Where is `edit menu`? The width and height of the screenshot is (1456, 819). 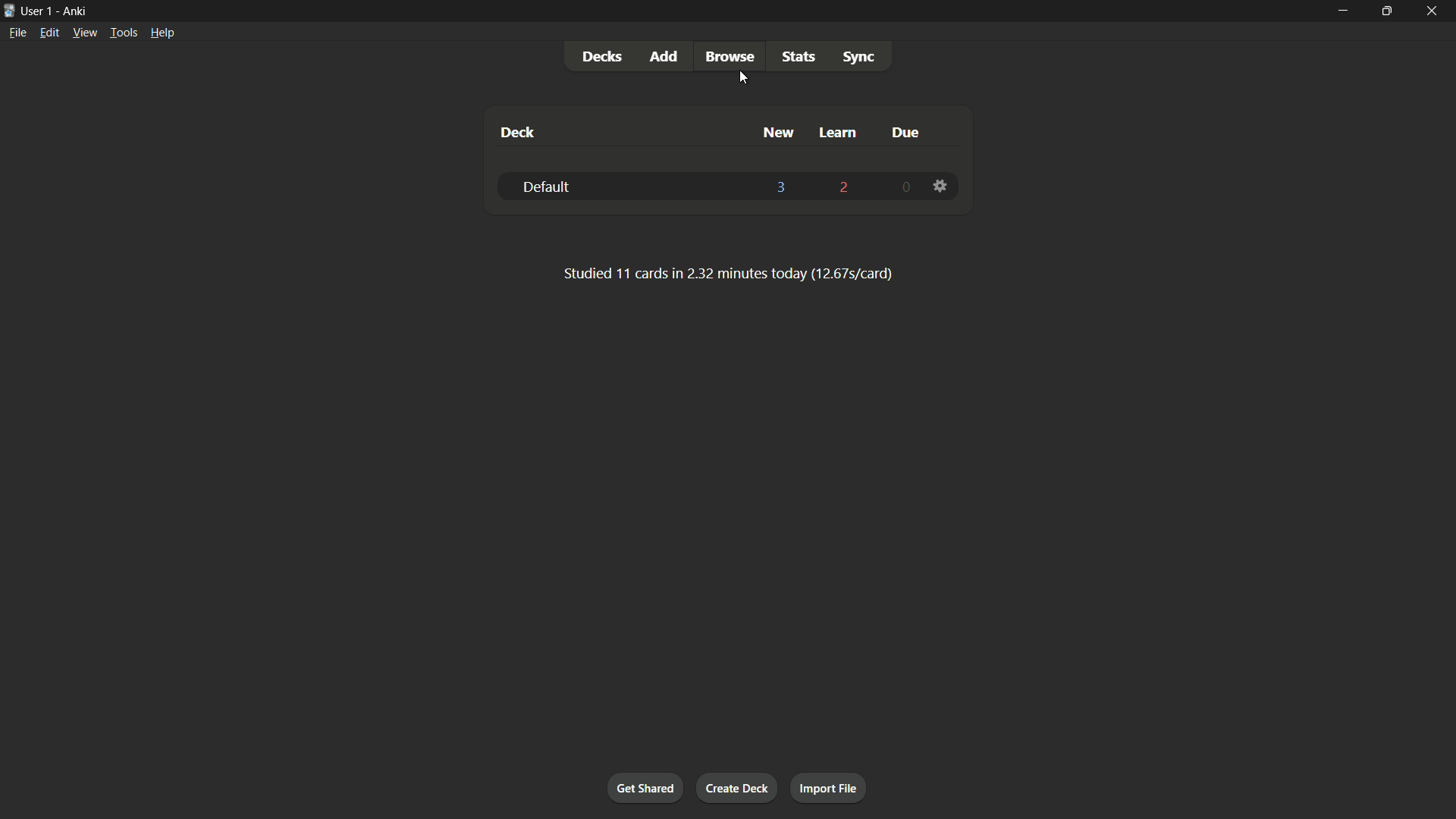 edit menu is located at coordinates (49, 32).